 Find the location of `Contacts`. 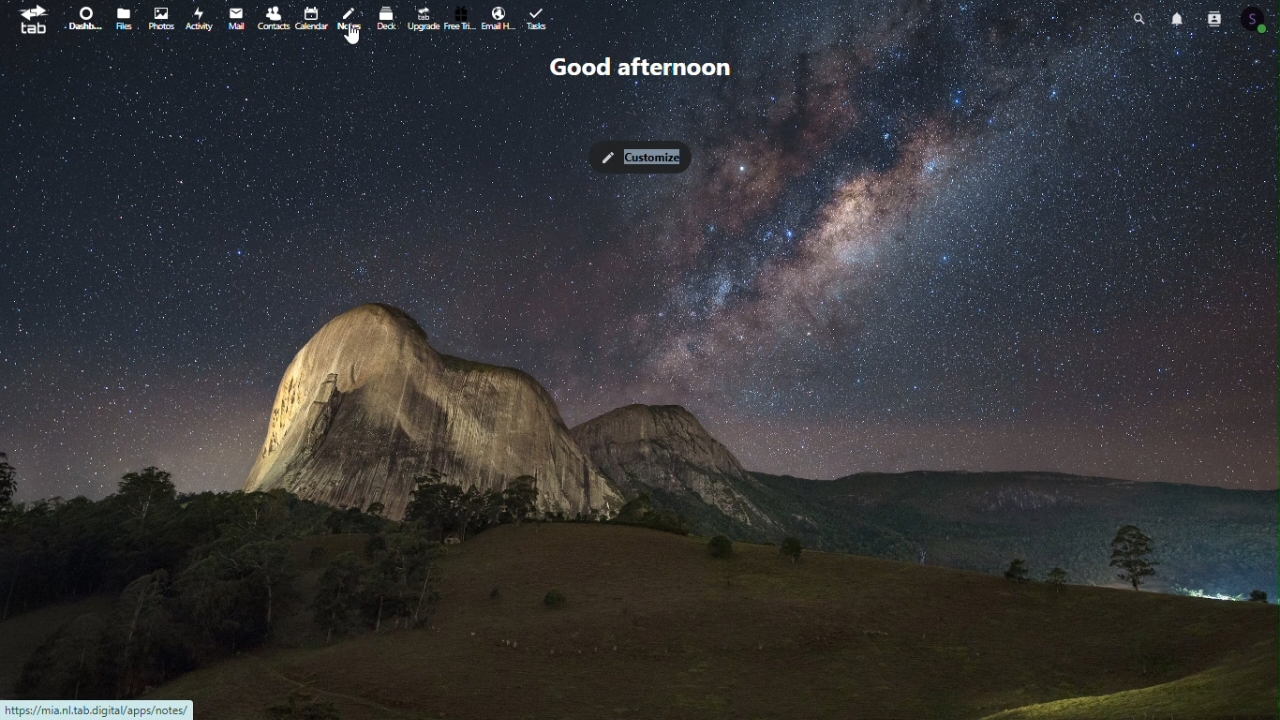

Contacts is located at coordinates (268, 16).